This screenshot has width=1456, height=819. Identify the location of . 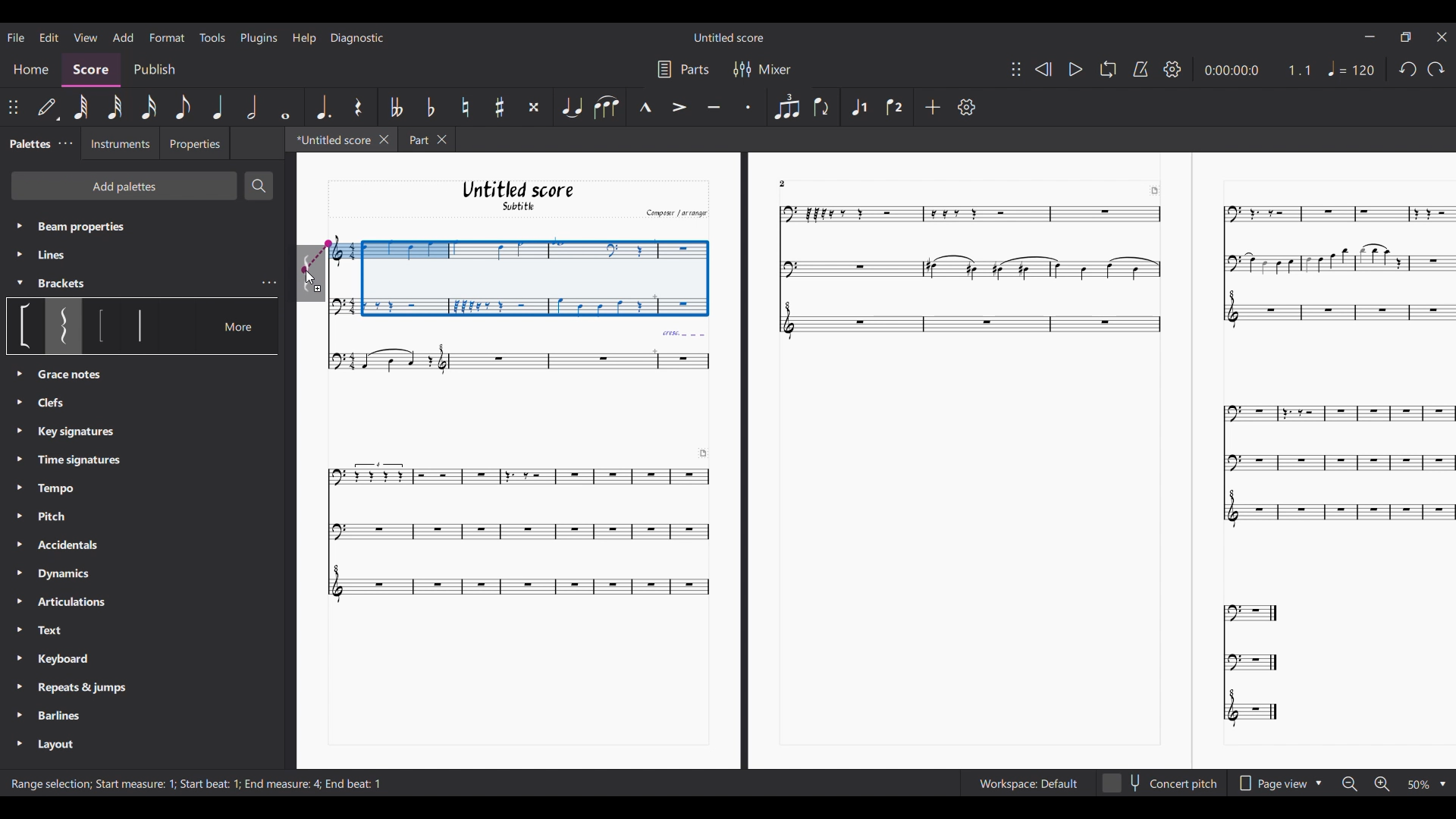
(16, 485).